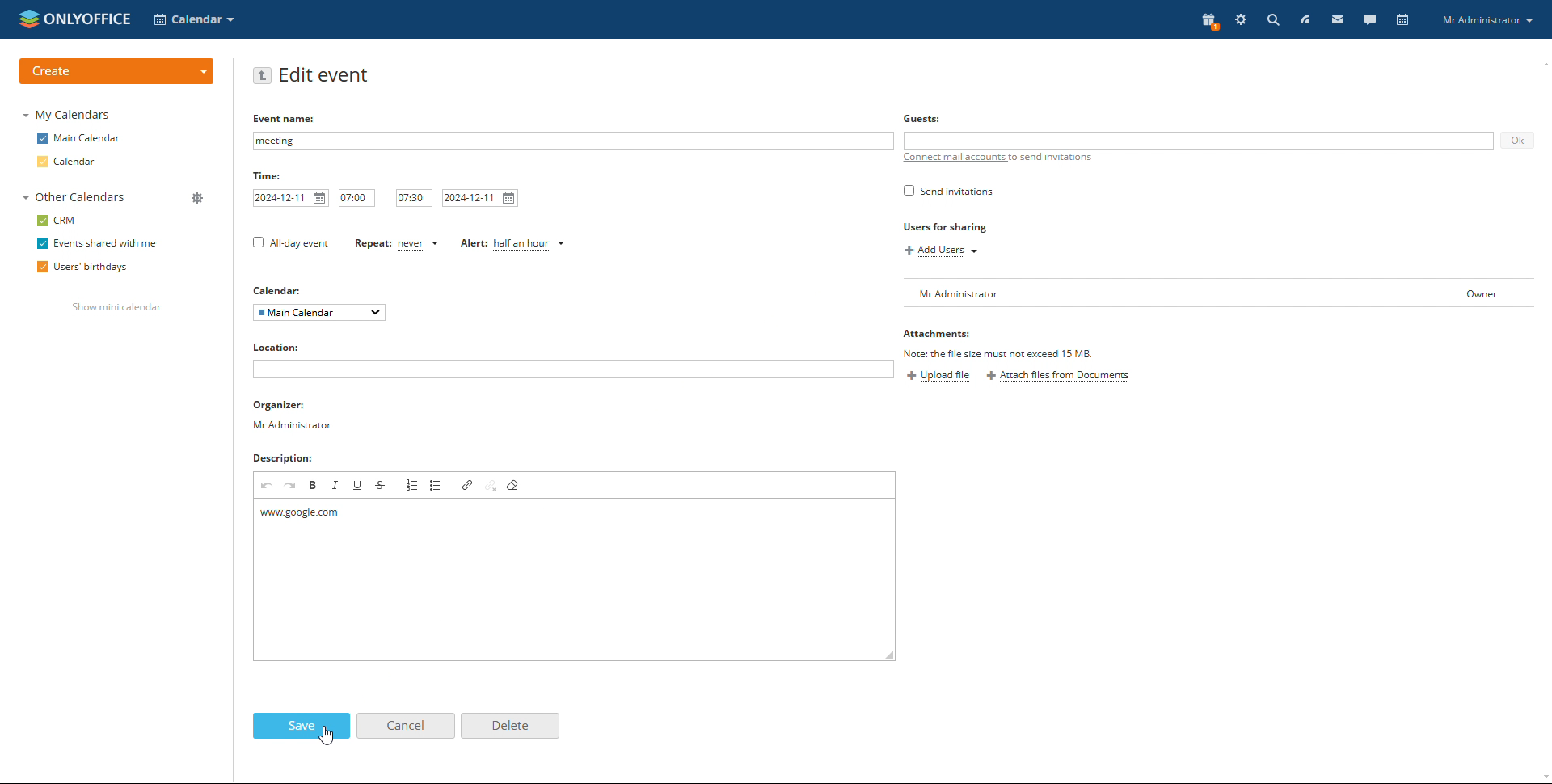  I want to click on go back, so click(263, 76).